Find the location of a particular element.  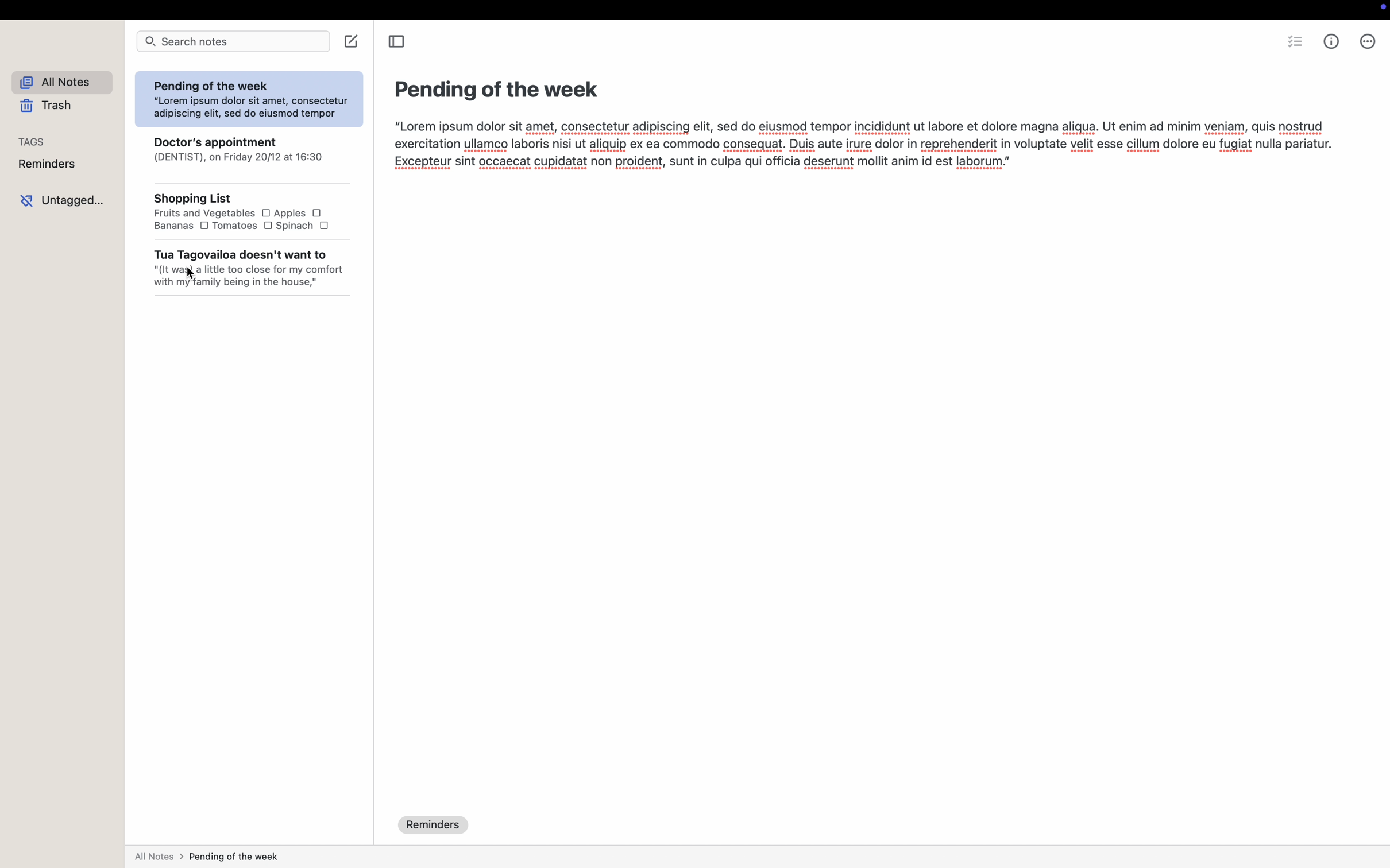

Pending of the week is located at coordinates (501, 91).